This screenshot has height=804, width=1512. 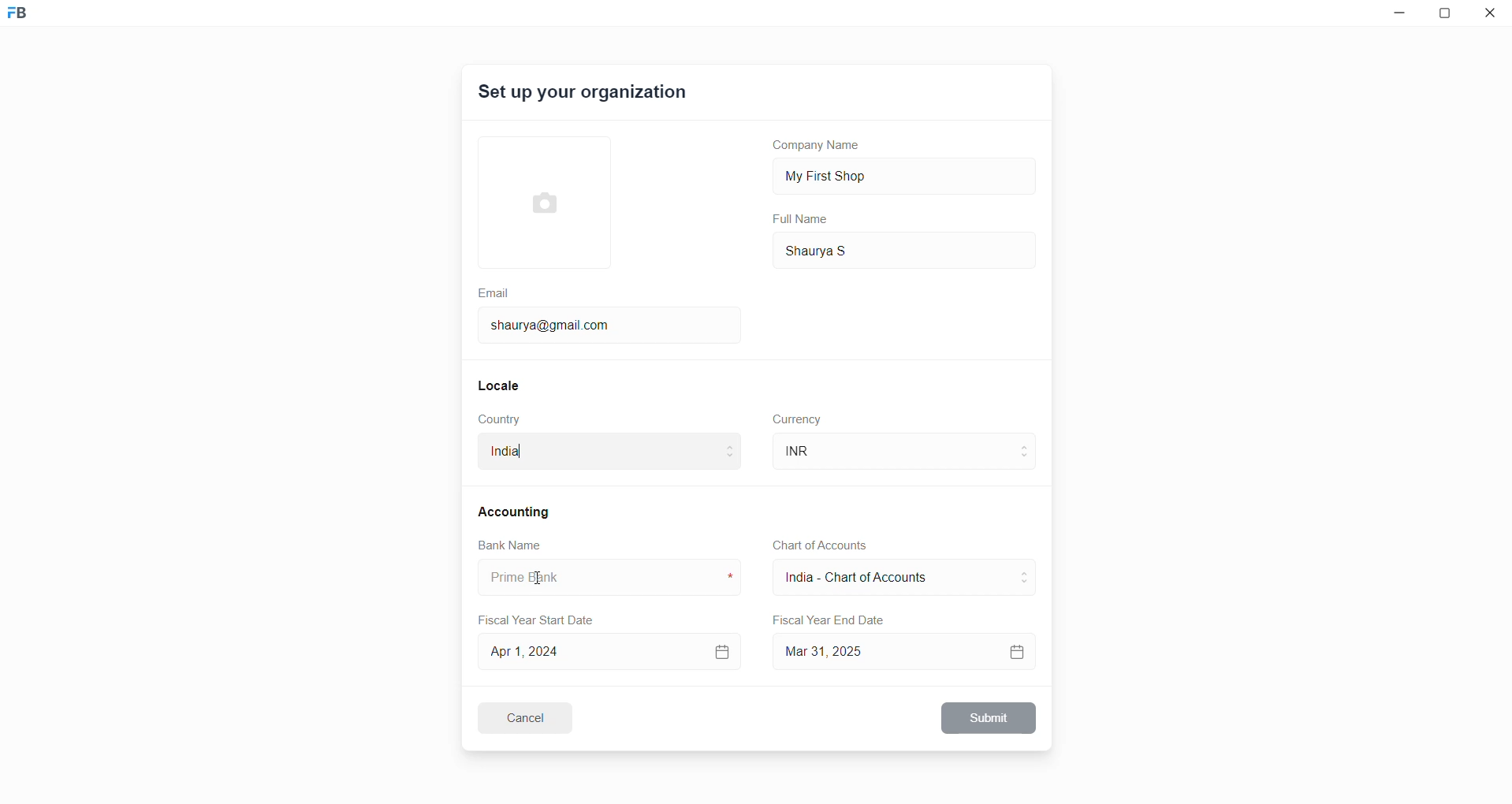 What do you see at coordinates (990, 718) in the screenshot?
I see `Submit ` at bounding box center [990, 718].